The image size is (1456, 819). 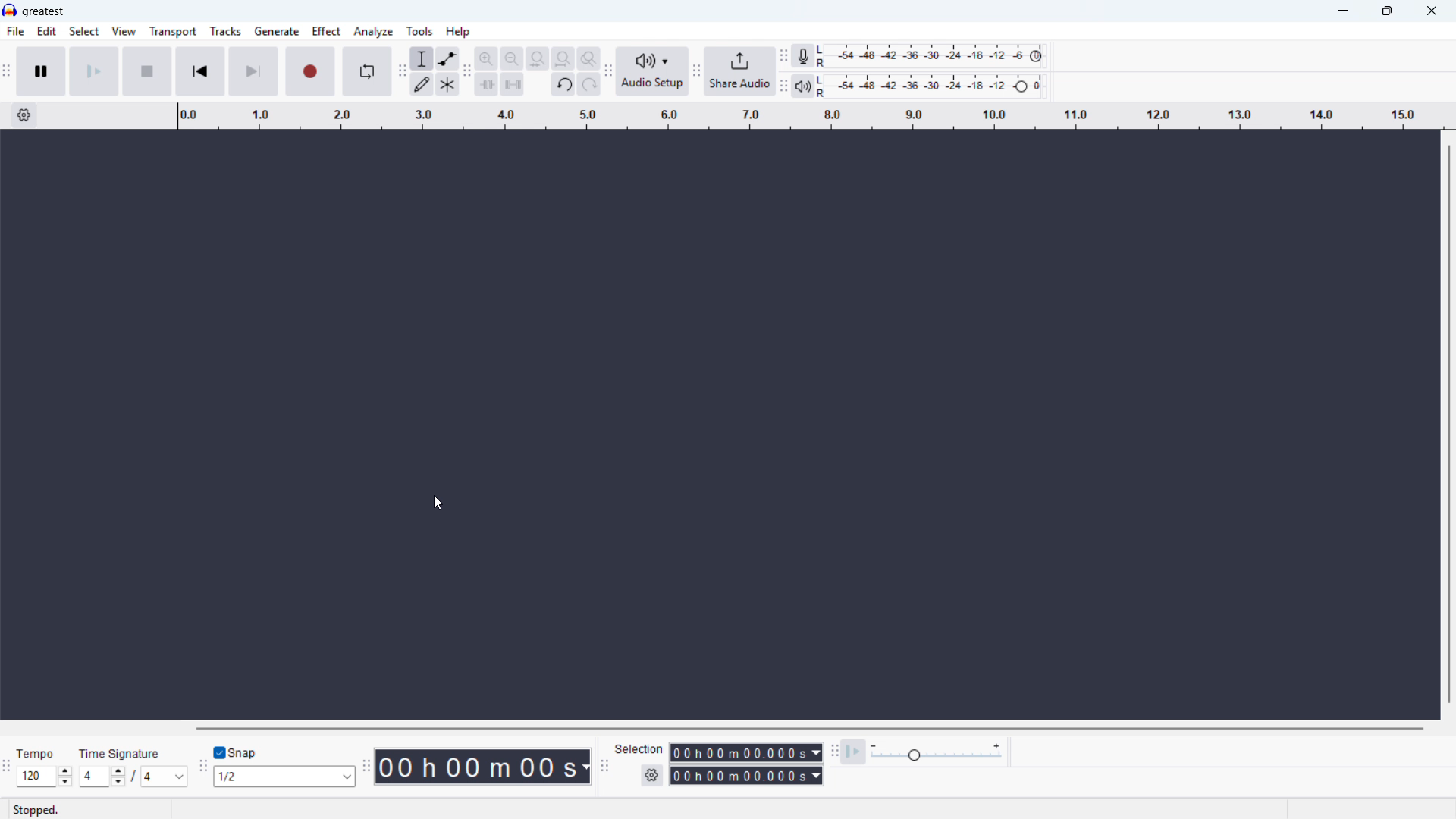 What do you see at coordinates (327, 31) in the screenshot?
I see `effect ` at bounding box center [327, 31].